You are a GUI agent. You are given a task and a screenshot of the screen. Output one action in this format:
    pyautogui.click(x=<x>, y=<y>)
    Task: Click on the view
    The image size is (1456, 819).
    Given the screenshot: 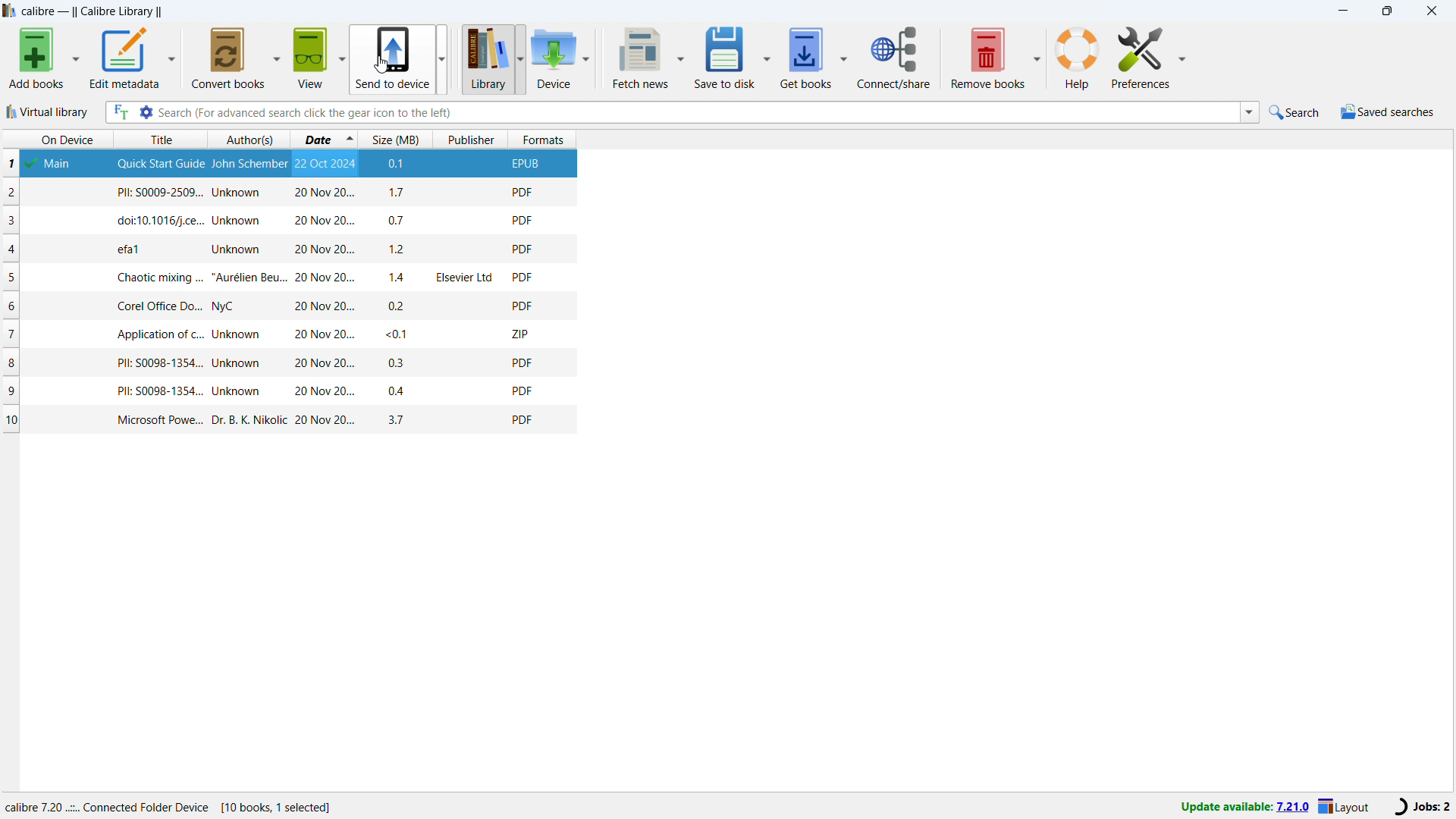 What is the action you would take?
    pyautogui.click(x=310, y=58)
    